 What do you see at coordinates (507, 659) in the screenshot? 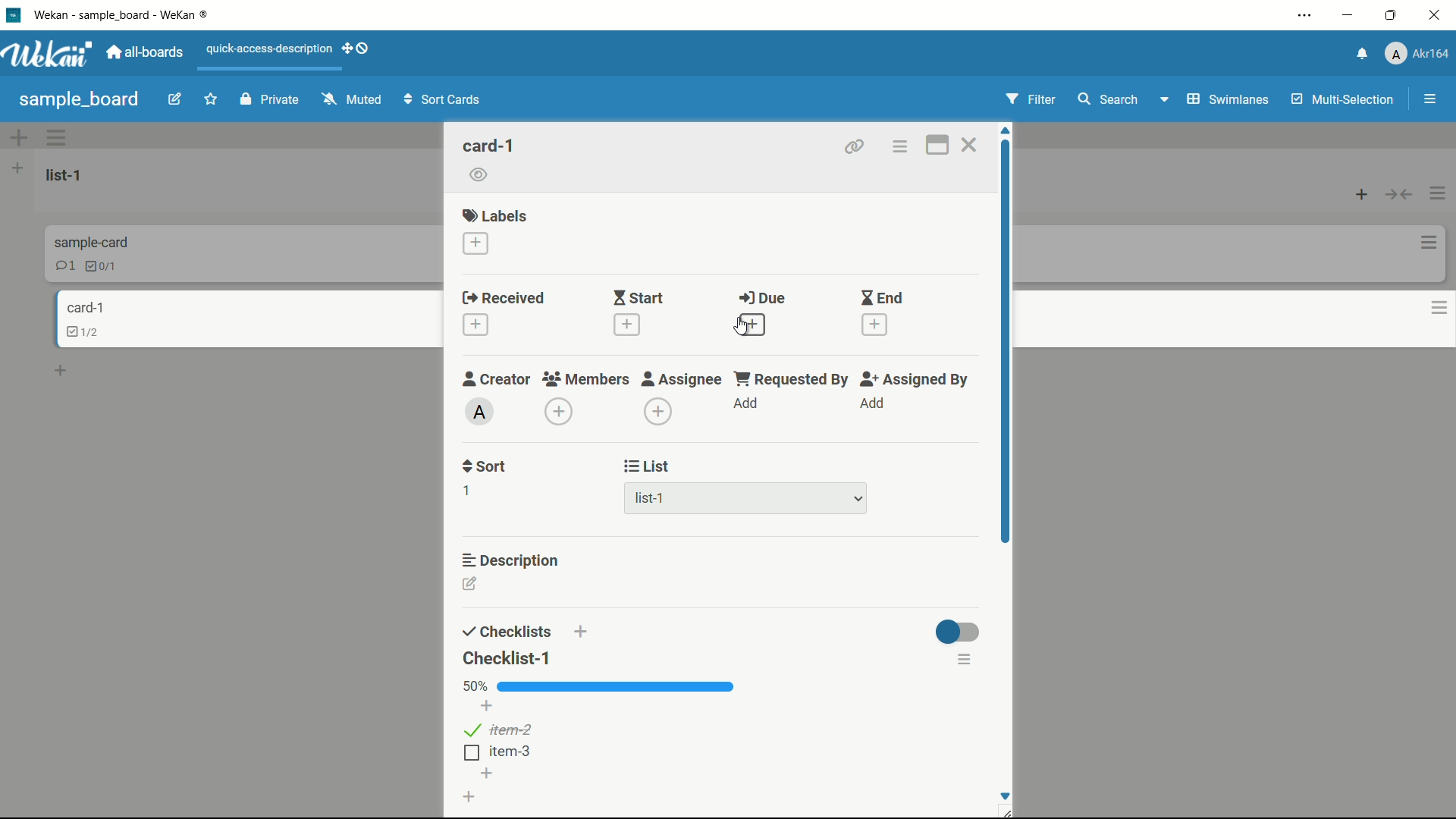
I see `checklist-1` at bounding box center [507, 659].